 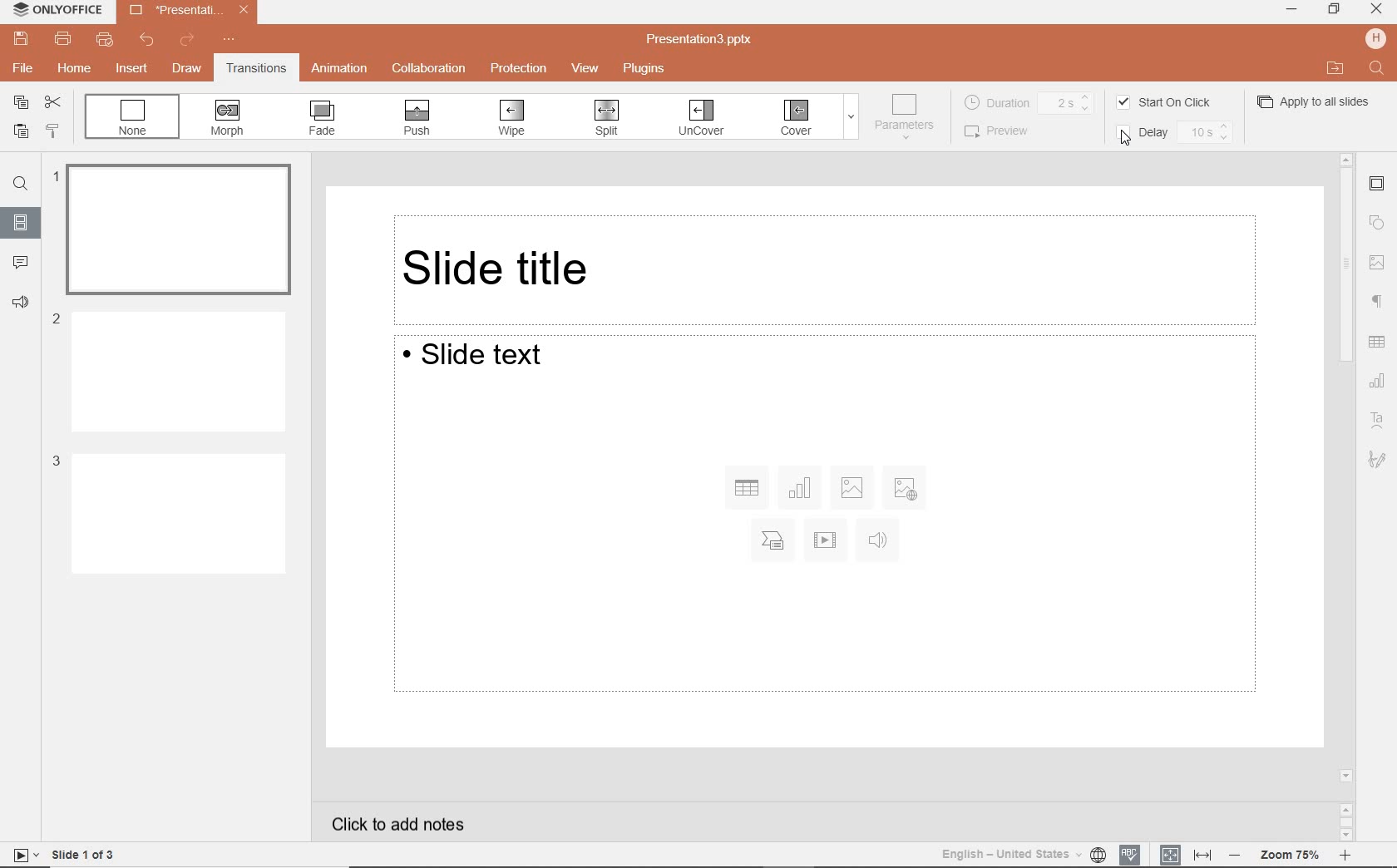 I want to click on scrollbar, so click(x=1345, y=496).